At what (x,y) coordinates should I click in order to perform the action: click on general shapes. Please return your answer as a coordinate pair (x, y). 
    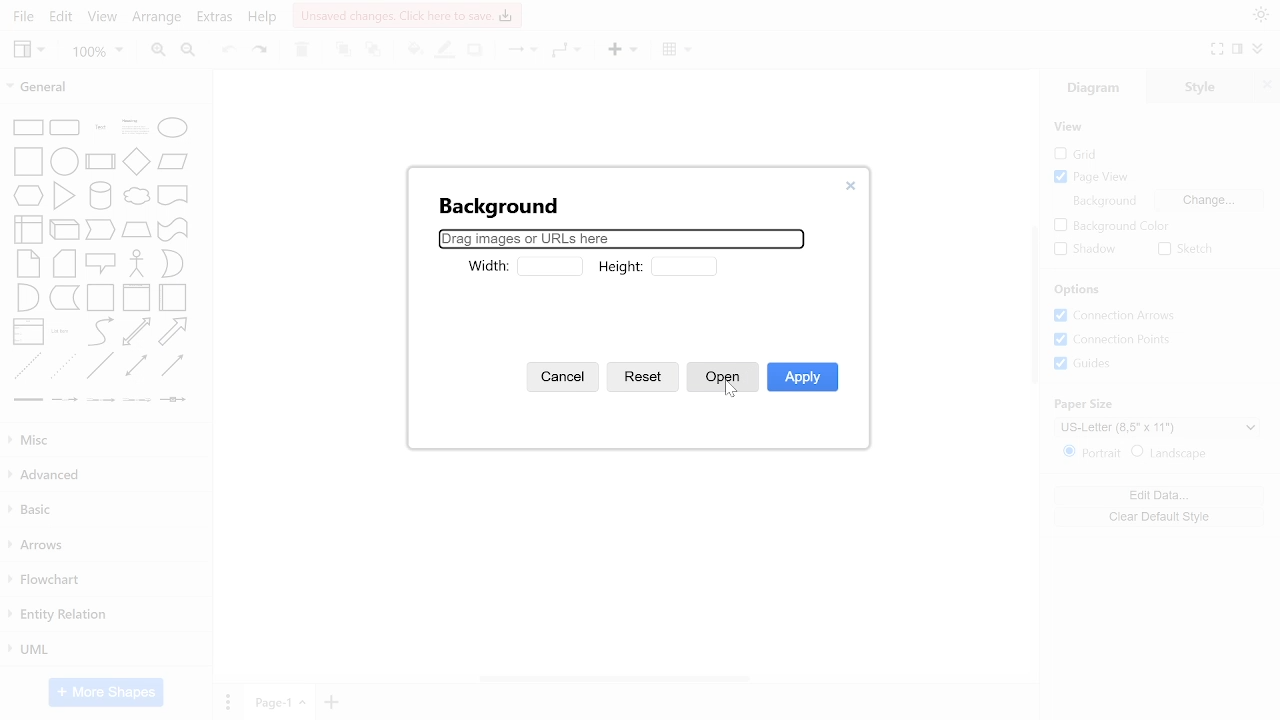
    Looking at the image, I should click on (99, 229).